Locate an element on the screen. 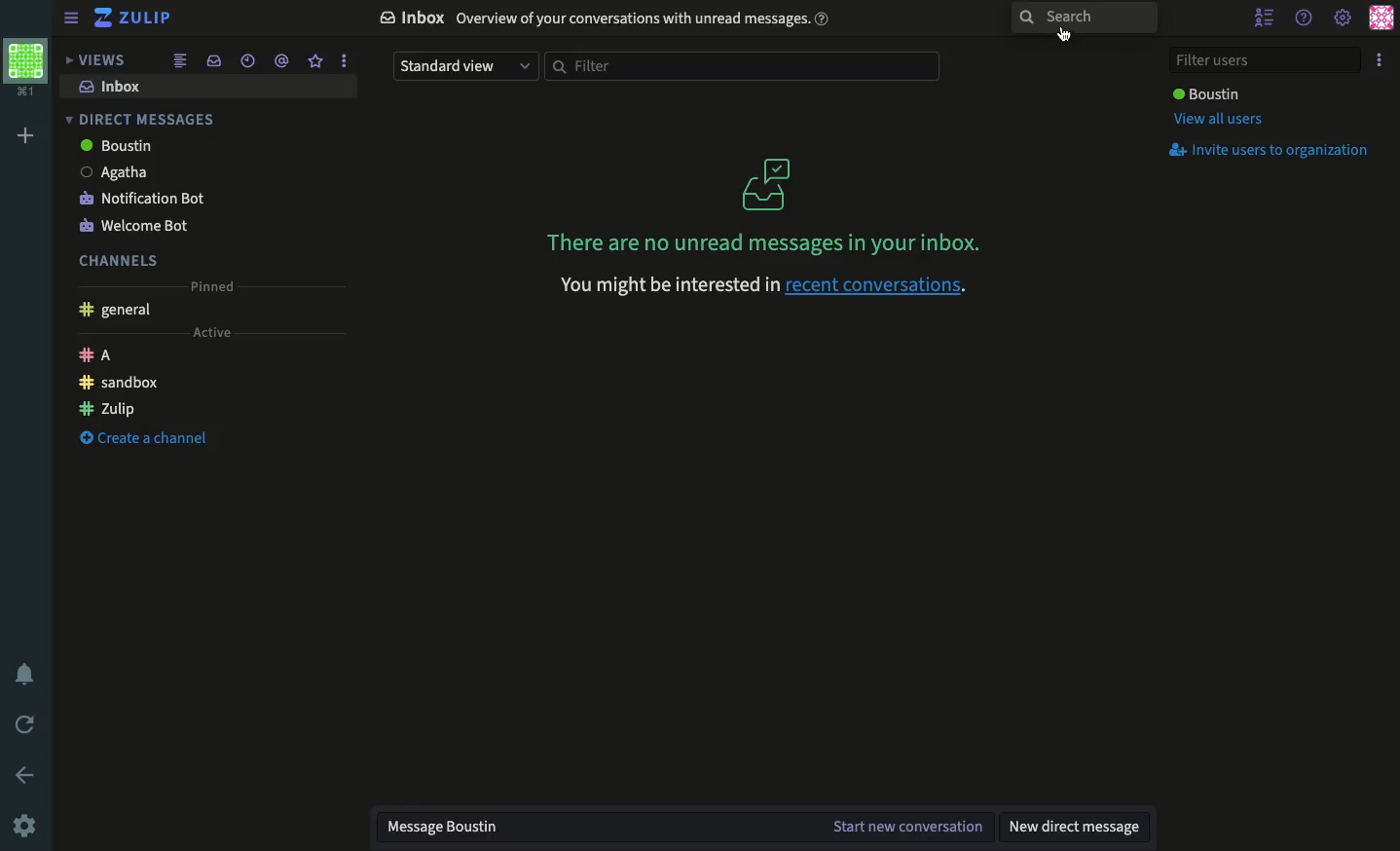 The image size is (1400, 851). Back is located at coordinates (27, 774).